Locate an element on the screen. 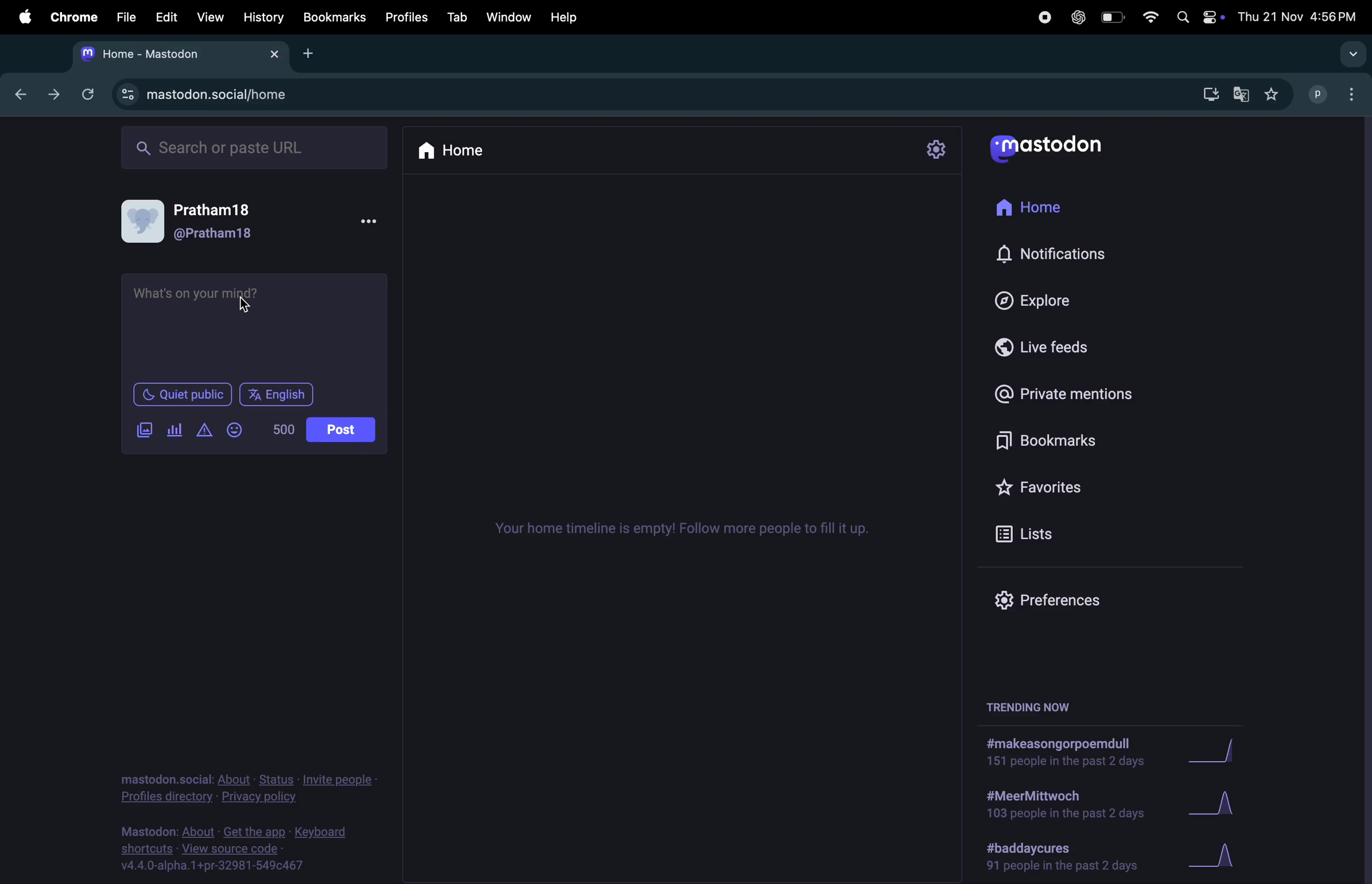  smiley is located at coordinates (237, 431).